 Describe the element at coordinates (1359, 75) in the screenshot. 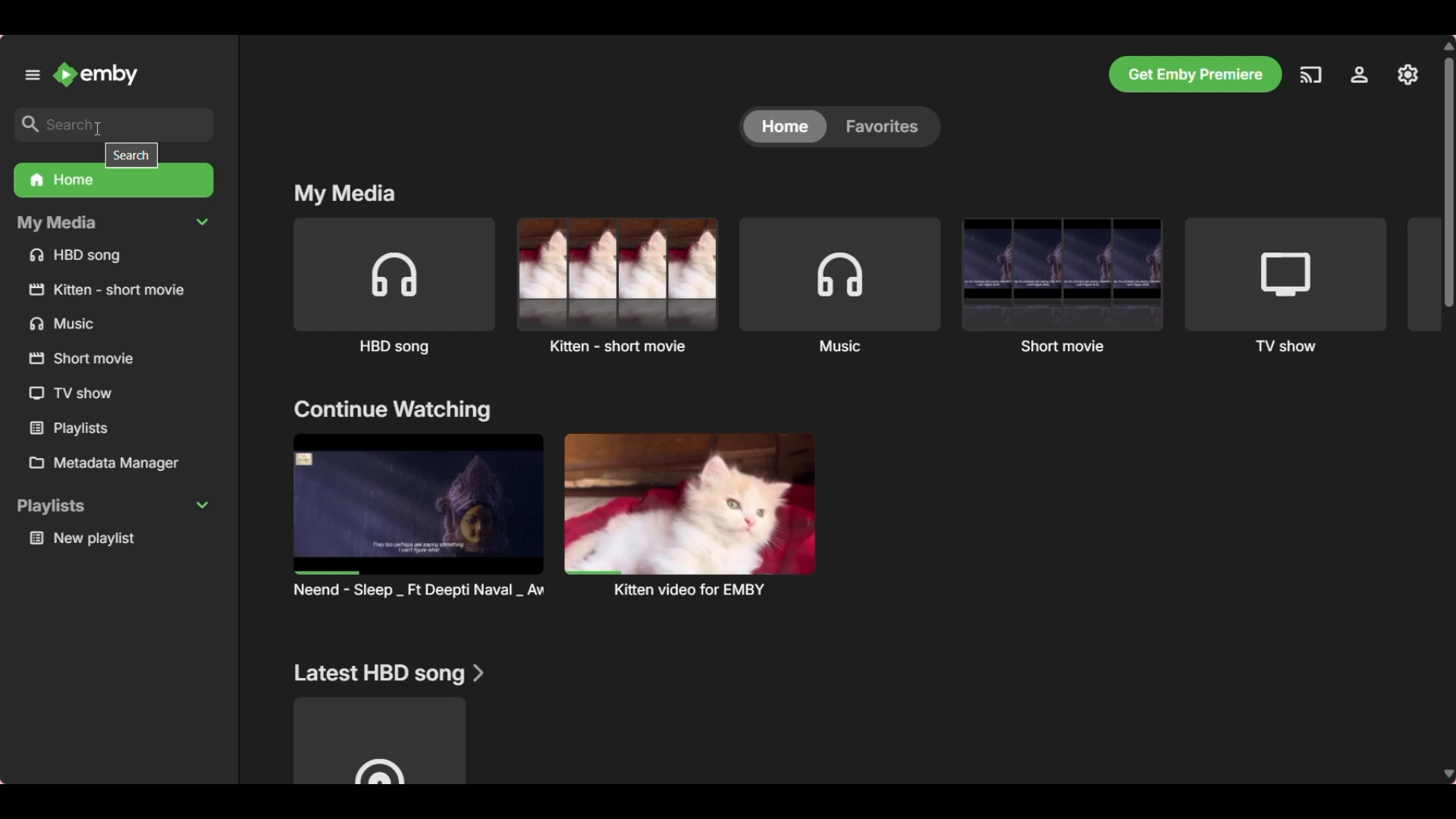

I see `Settings` at that location.